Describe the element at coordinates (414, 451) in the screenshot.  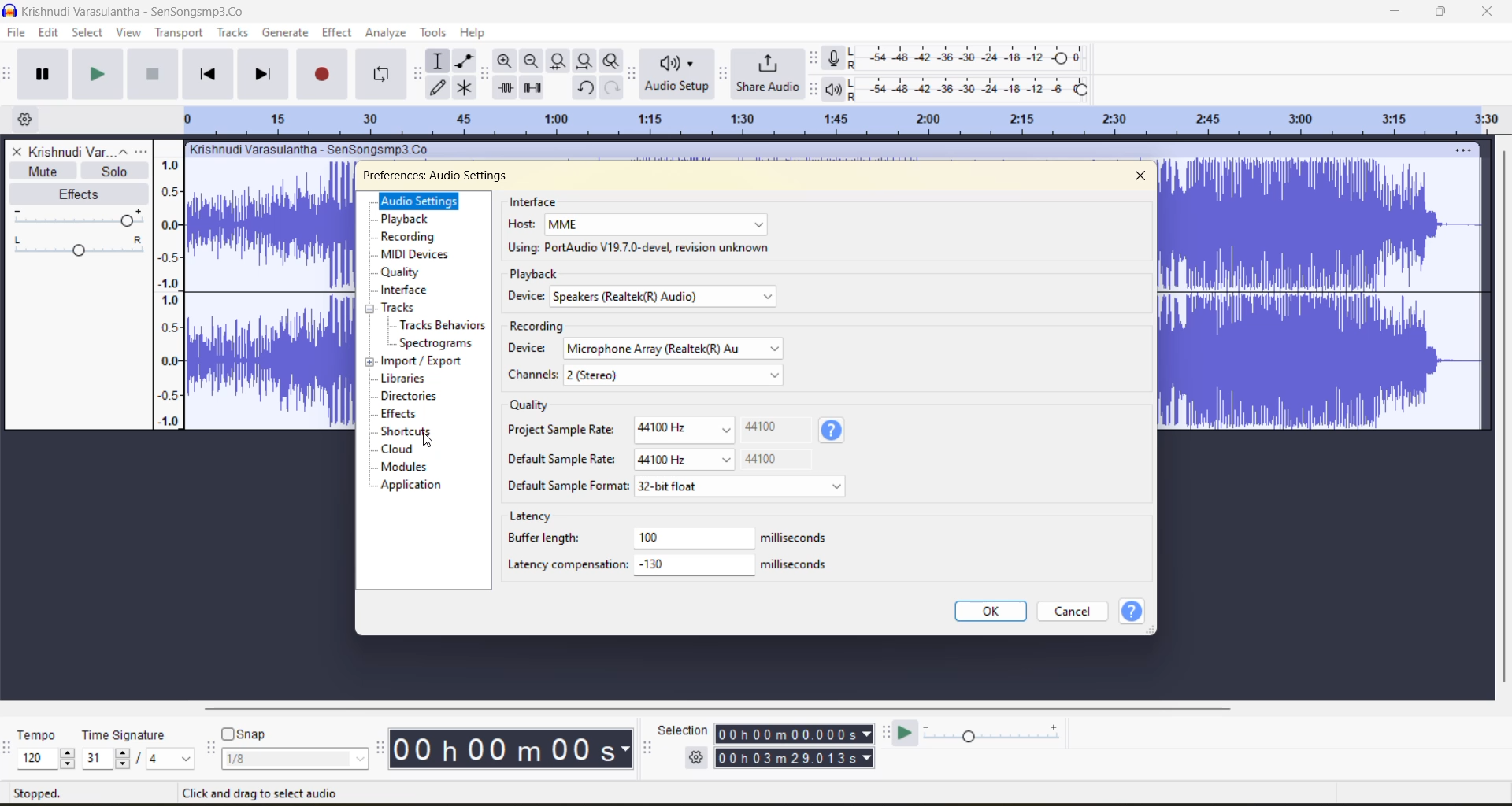
I see `cloud` at that location.